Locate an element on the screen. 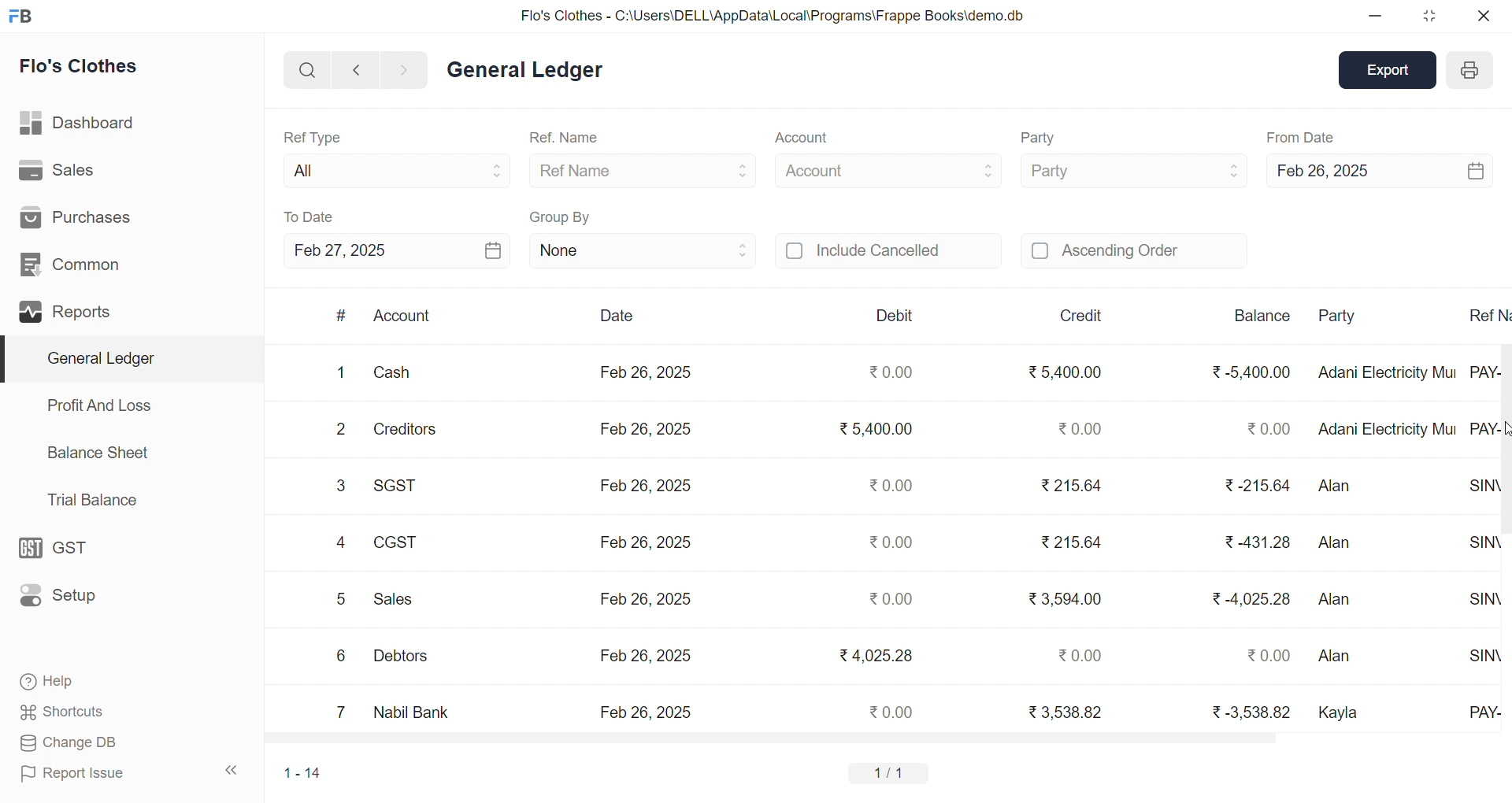 This screenshot has height=803, width=1512. General Ledger is located at coordinates (524, 71).